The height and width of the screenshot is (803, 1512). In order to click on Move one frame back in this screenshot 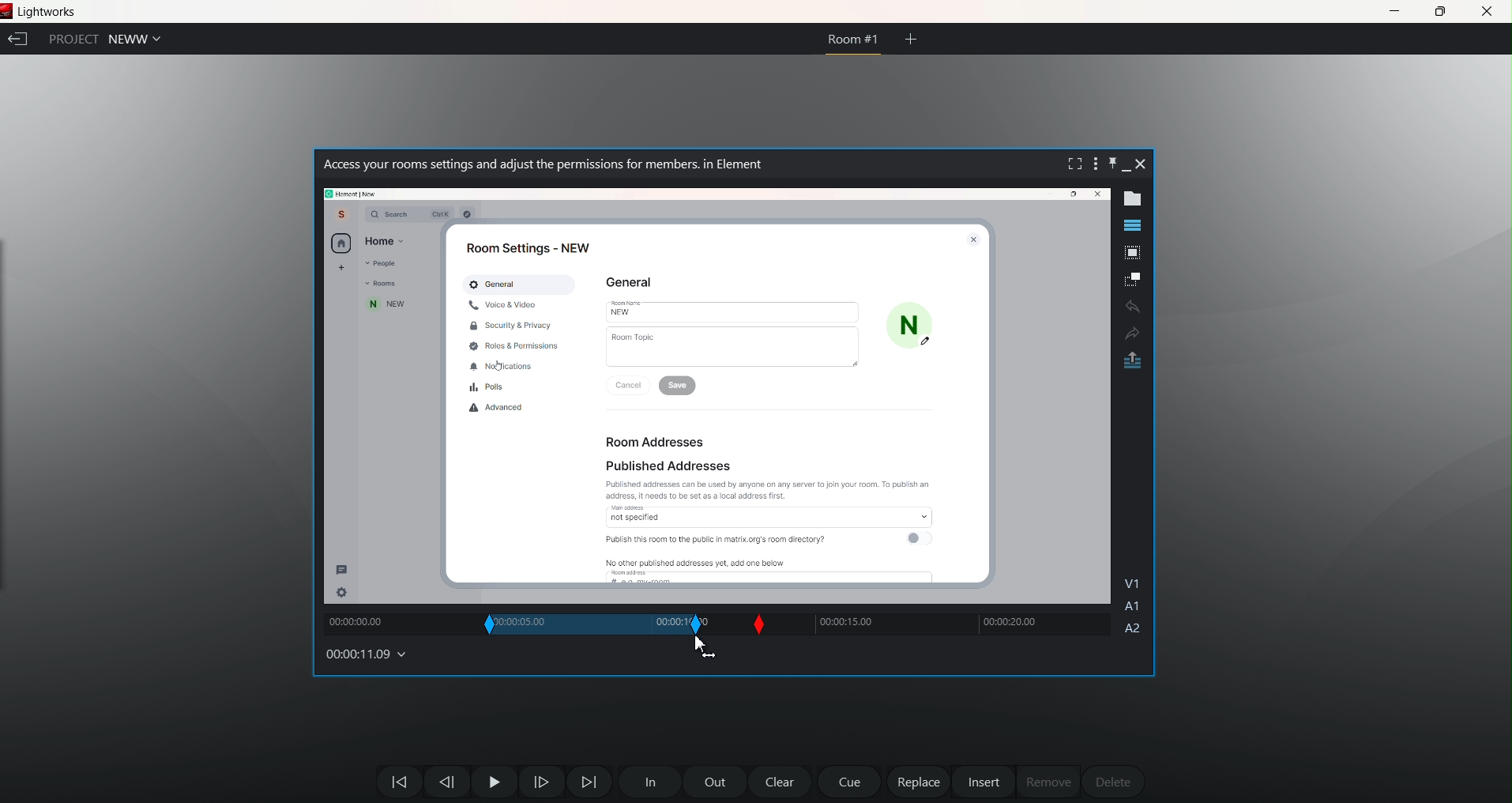, I will do `click(444, 782)`.